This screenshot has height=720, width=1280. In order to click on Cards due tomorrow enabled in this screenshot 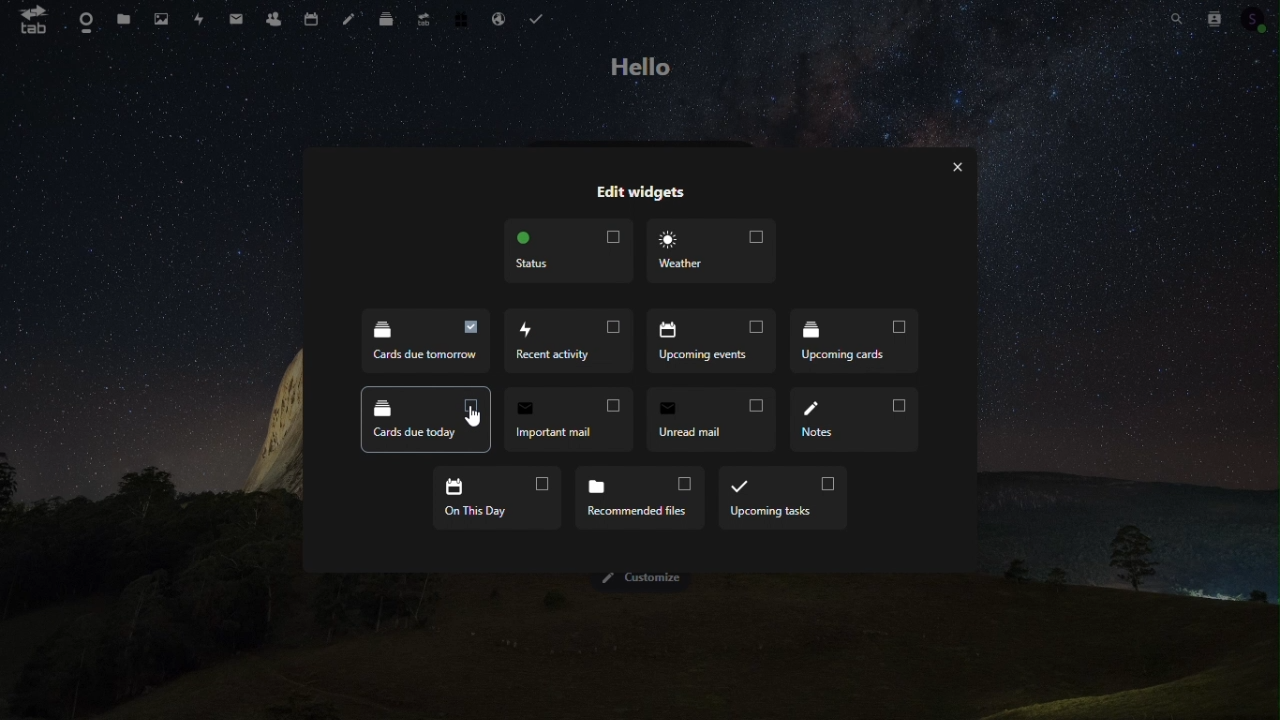, I will do `click(427, 344)`.